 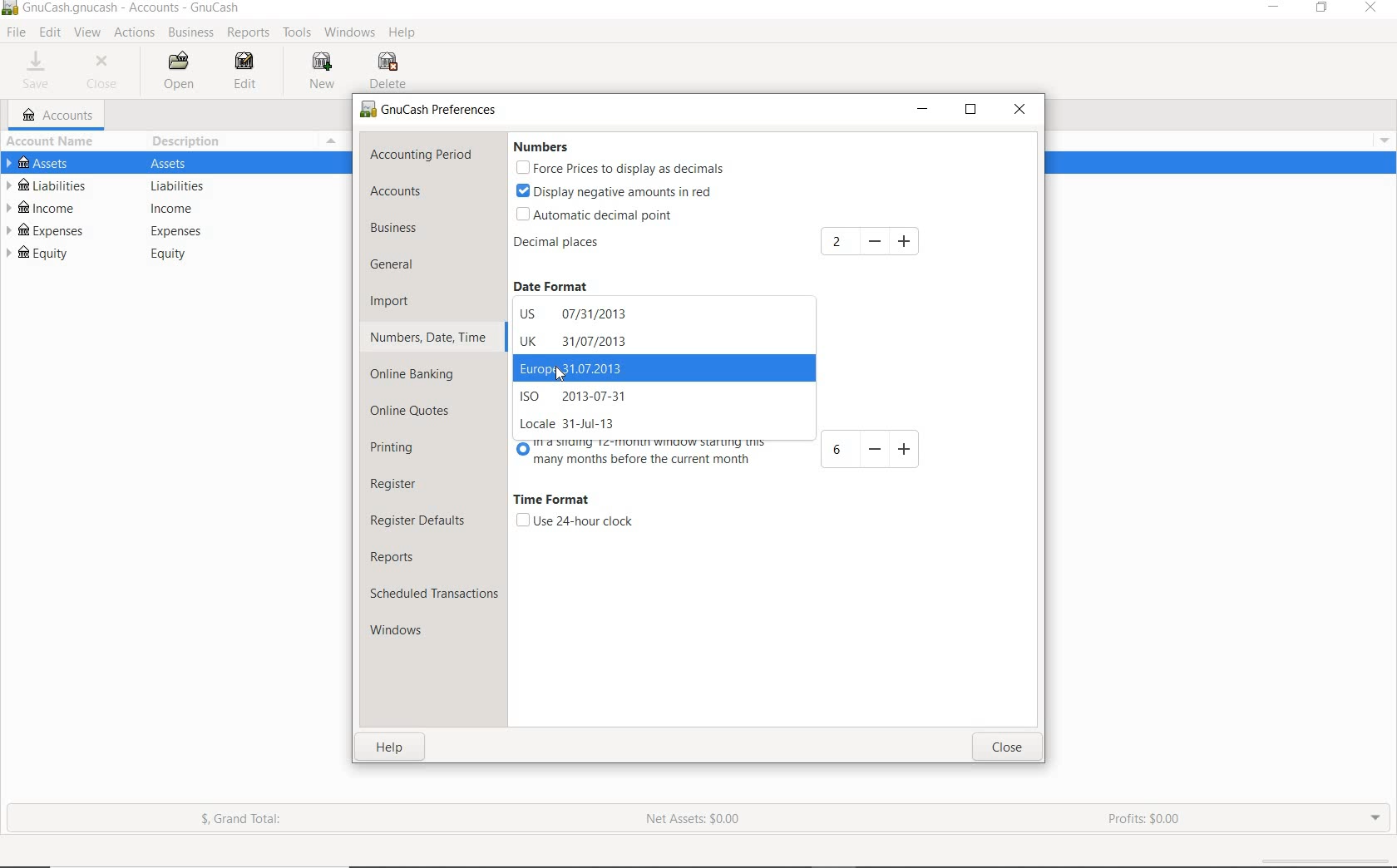 What do you see at coordinates (616, 190) in the screenshot?
I see `display negative amounts in red` at bounding box center [616, 190].